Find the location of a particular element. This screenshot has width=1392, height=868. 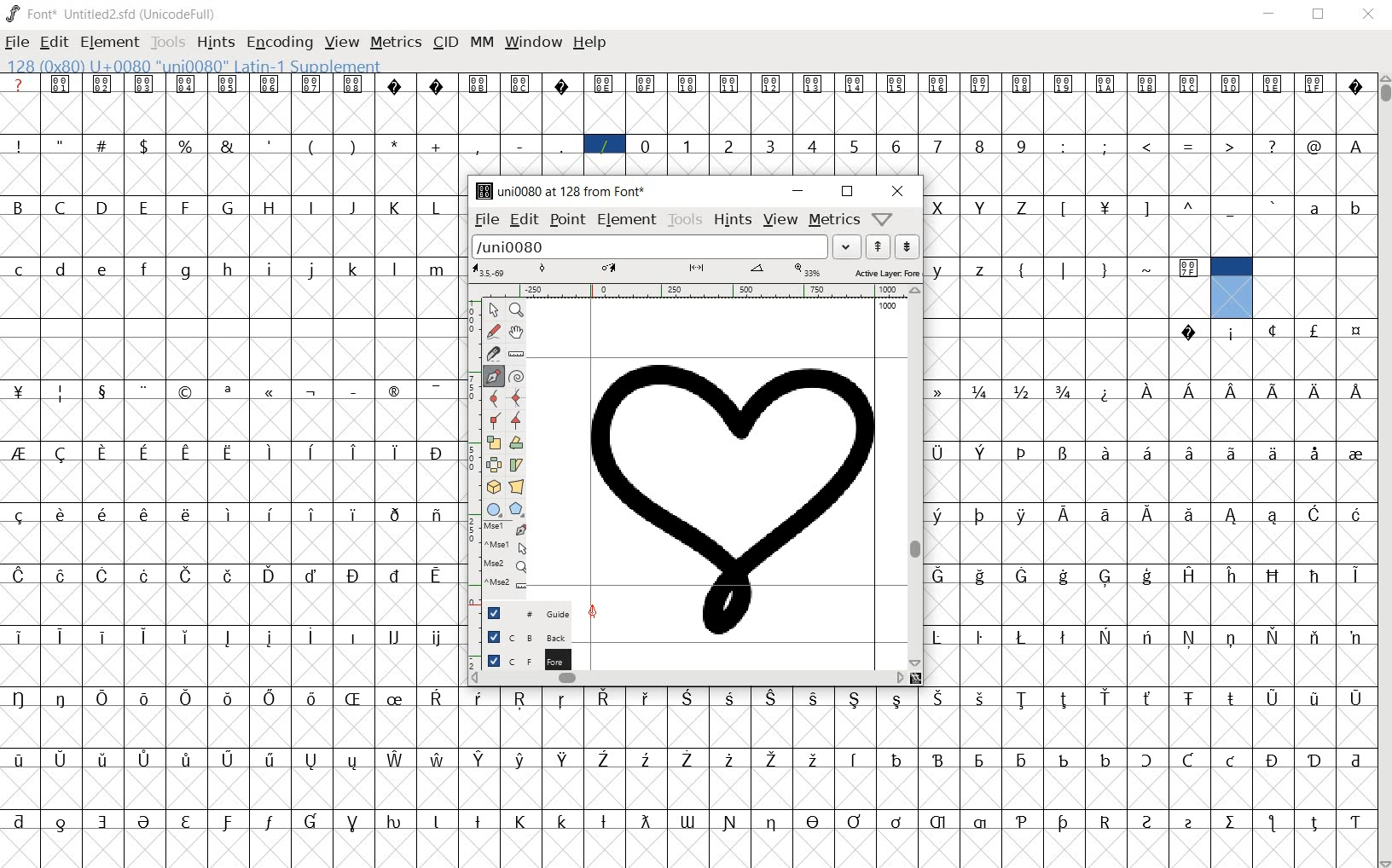

glyph is located at coordinates (1189, 699).